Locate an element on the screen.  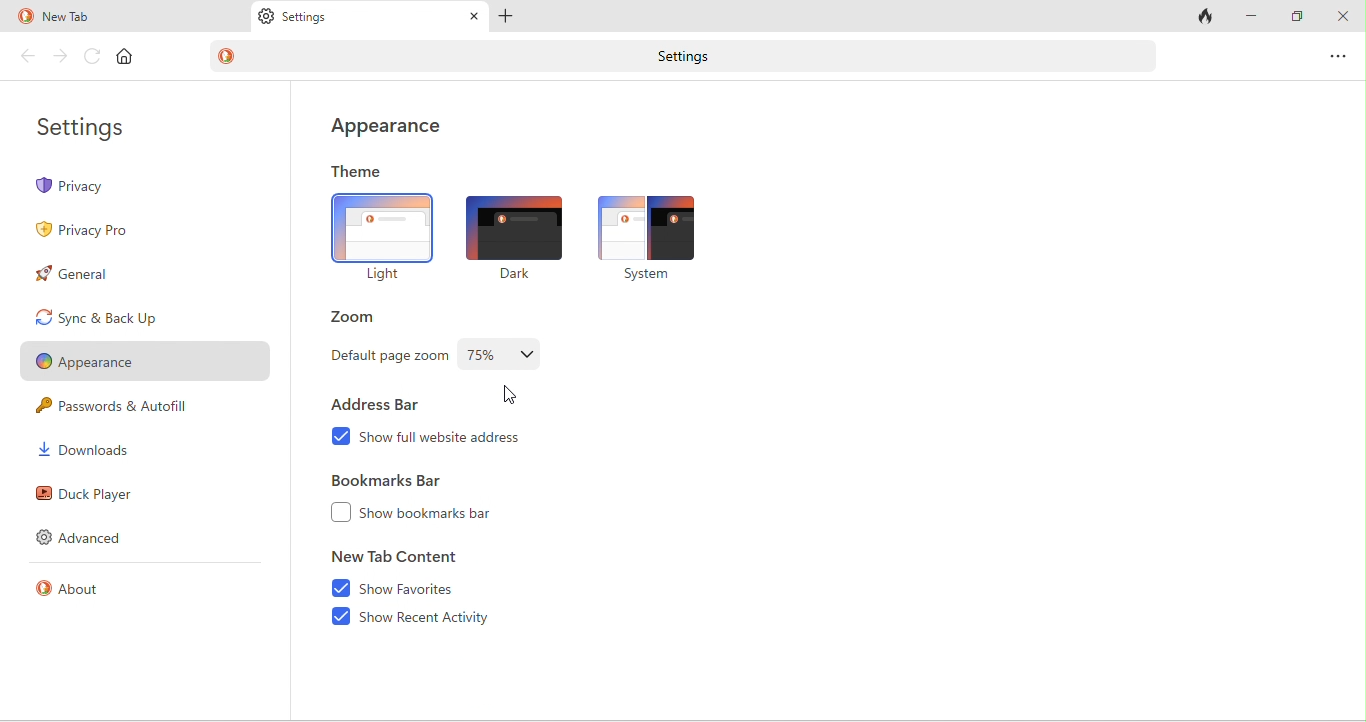
zoom is located at coordinates (364, 320).